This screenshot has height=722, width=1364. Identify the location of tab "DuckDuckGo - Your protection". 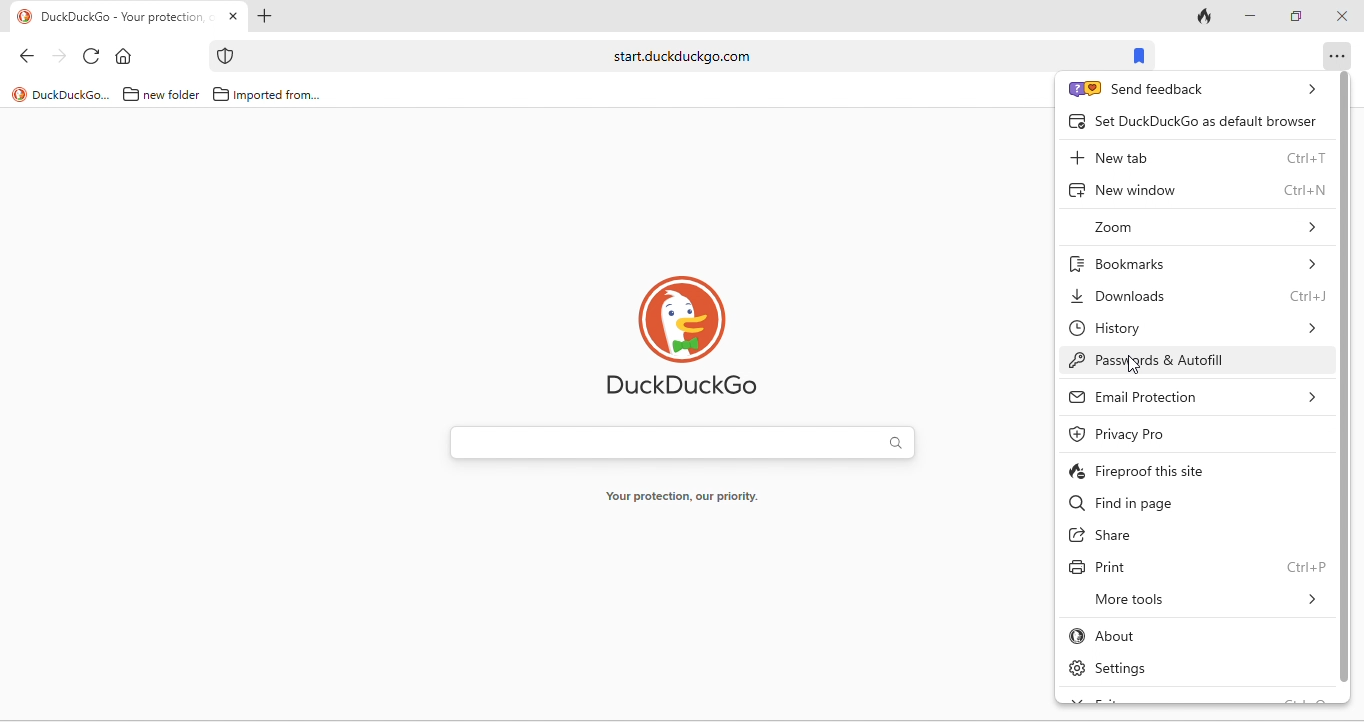
(129, 17).